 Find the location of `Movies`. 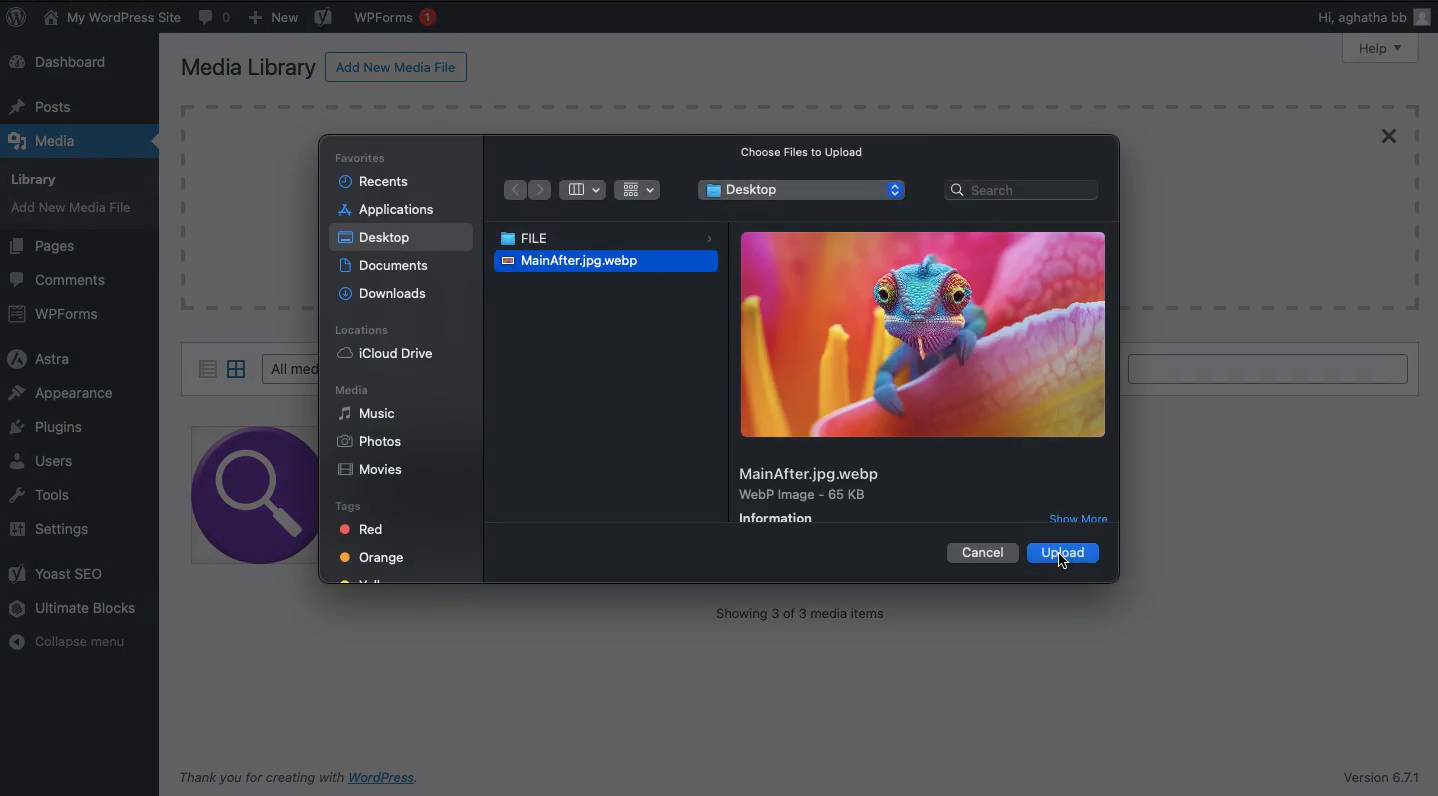

Movies is located at coordinates (374, 468).